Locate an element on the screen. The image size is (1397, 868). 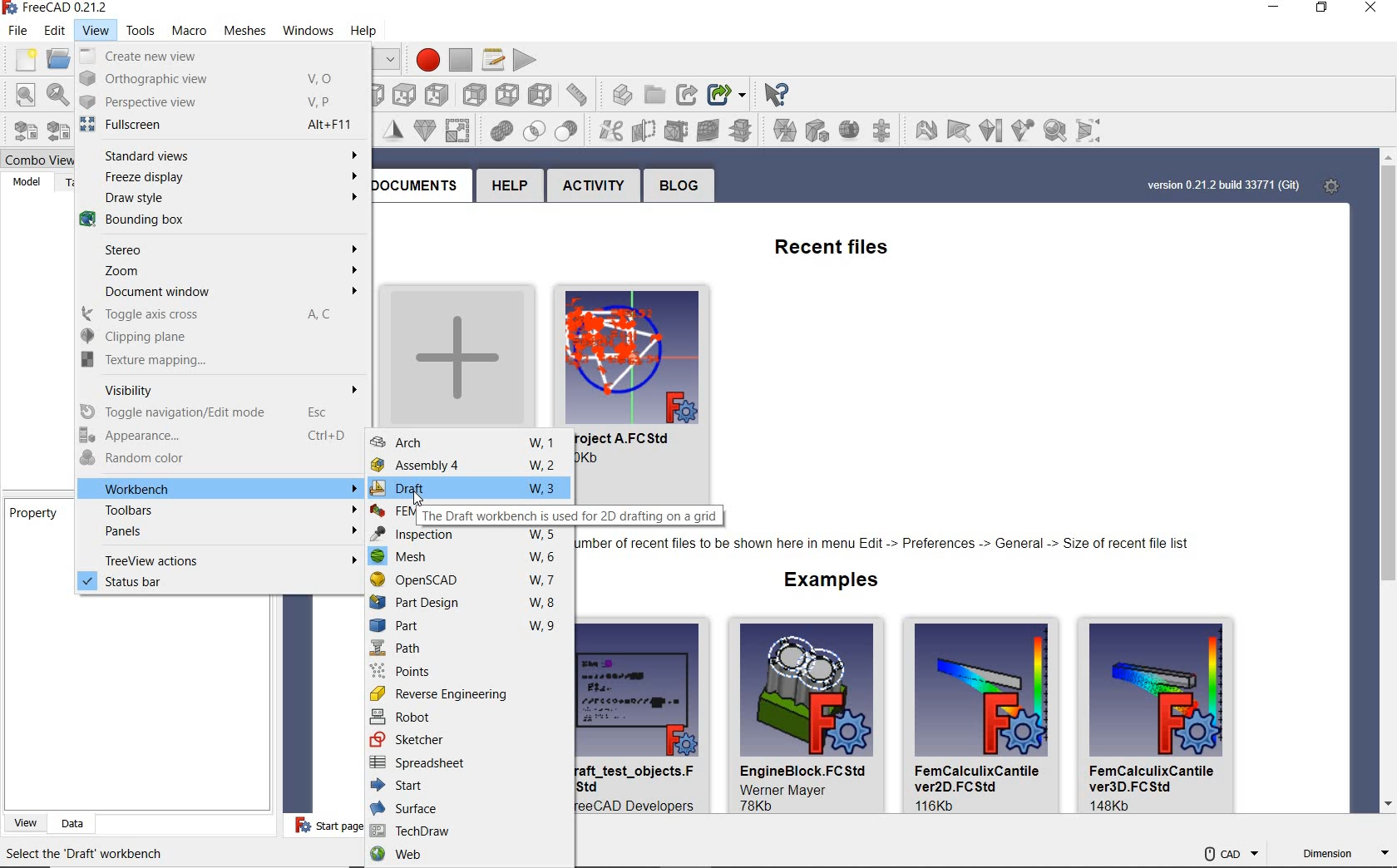
union is located at coordinates (460, 130).